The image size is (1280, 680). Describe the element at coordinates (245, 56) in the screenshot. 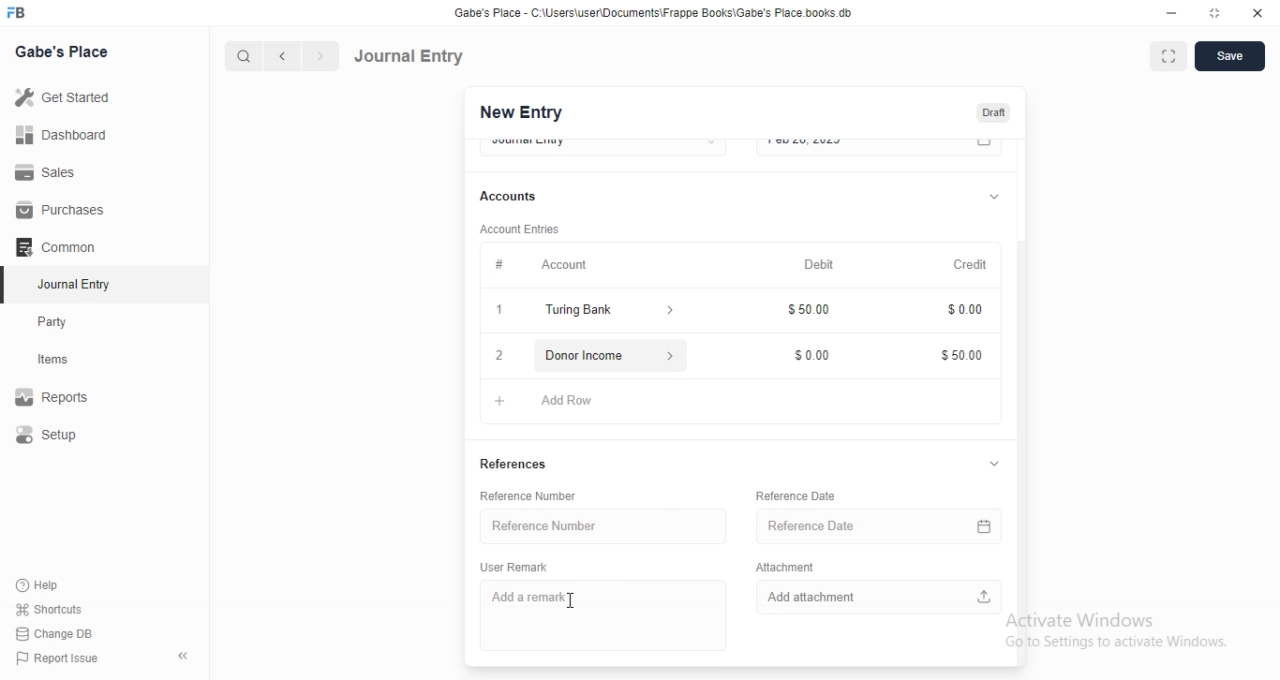

I see `search` at that location.